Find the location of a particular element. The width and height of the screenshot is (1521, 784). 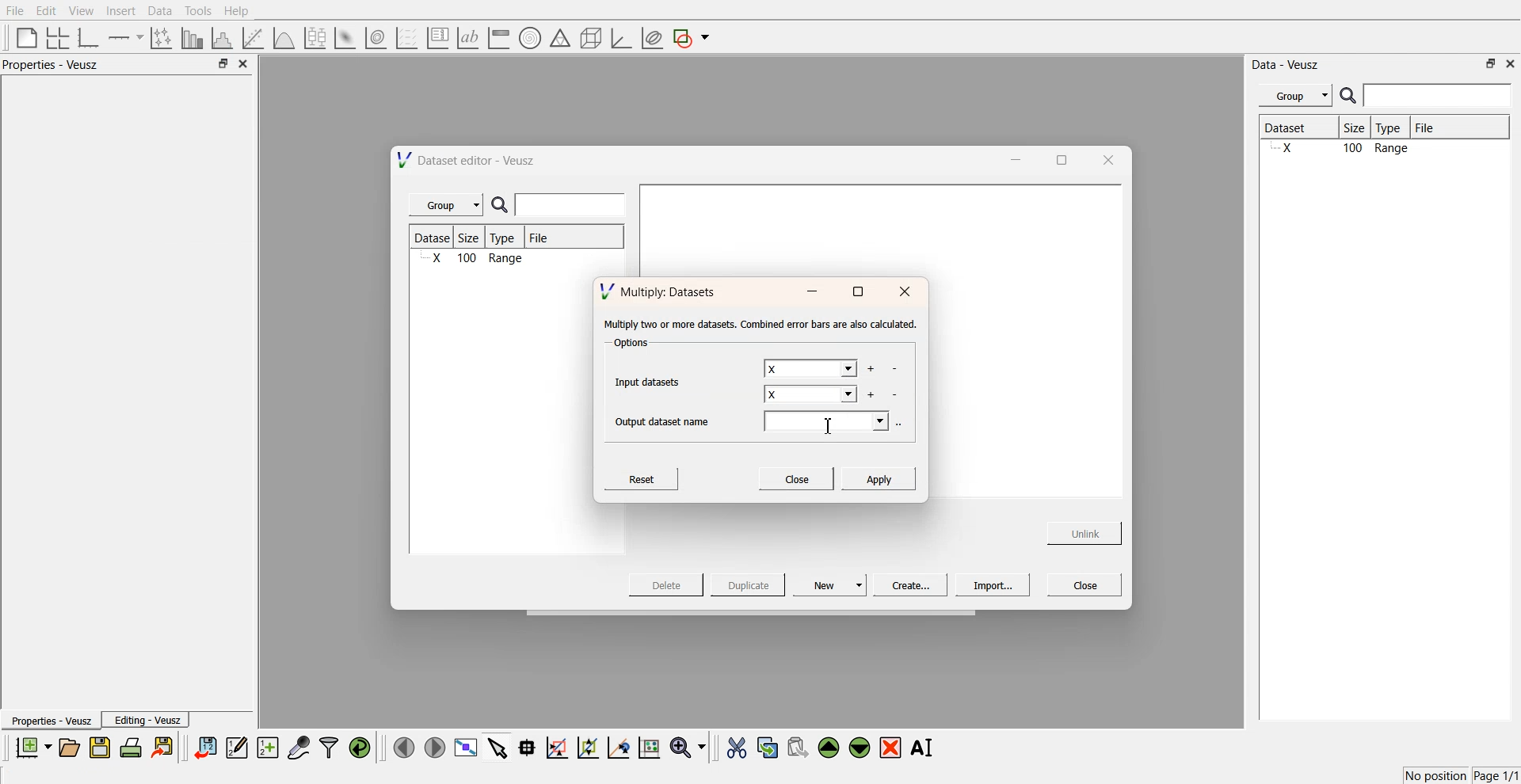

Unlink is located at coordinates (1085, 531).